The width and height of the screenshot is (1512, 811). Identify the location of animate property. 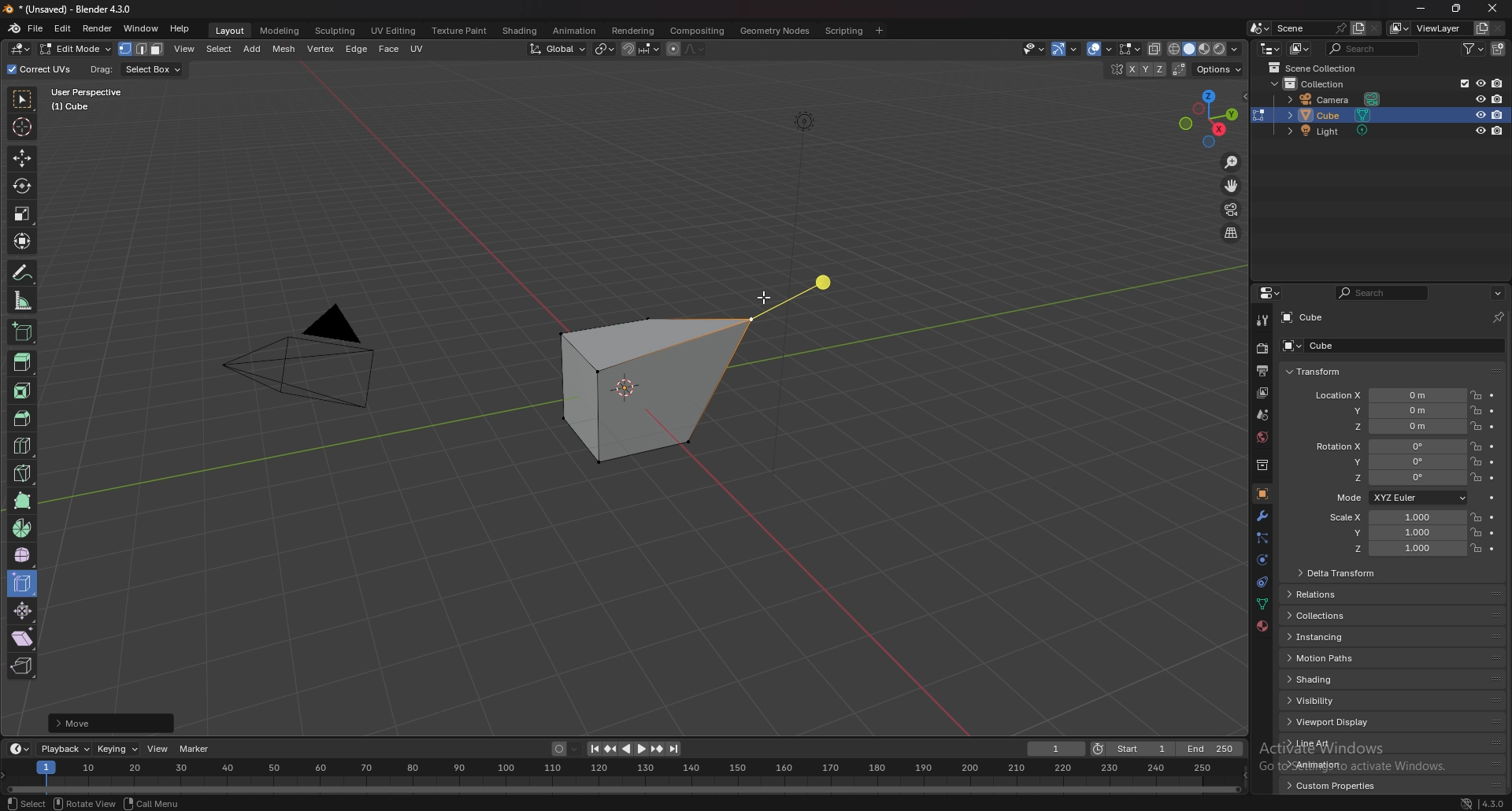
(1492, 517).